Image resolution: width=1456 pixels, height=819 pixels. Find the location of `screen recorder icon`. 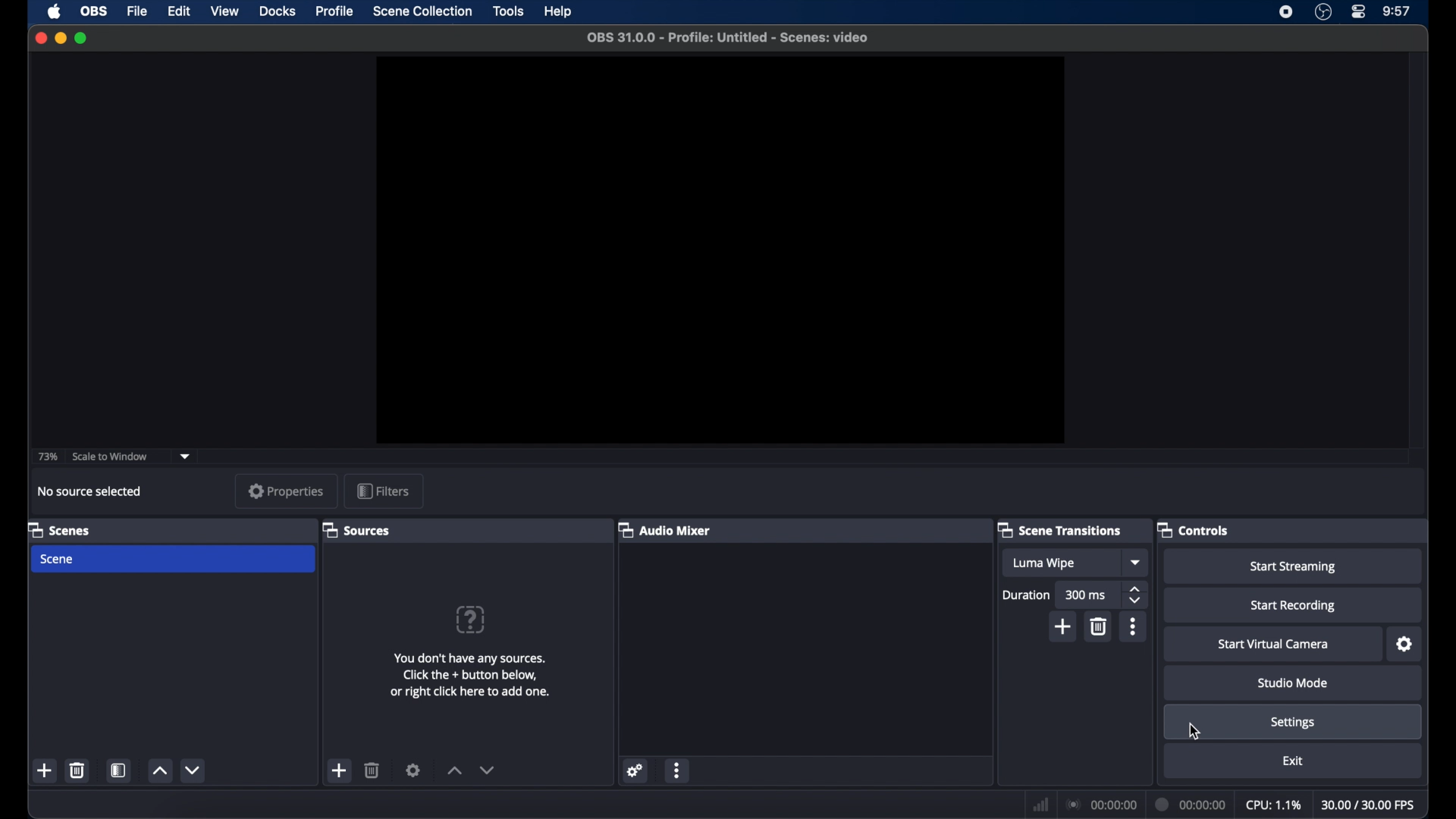

screen recorder icon is located at coordinates (1287, 12).